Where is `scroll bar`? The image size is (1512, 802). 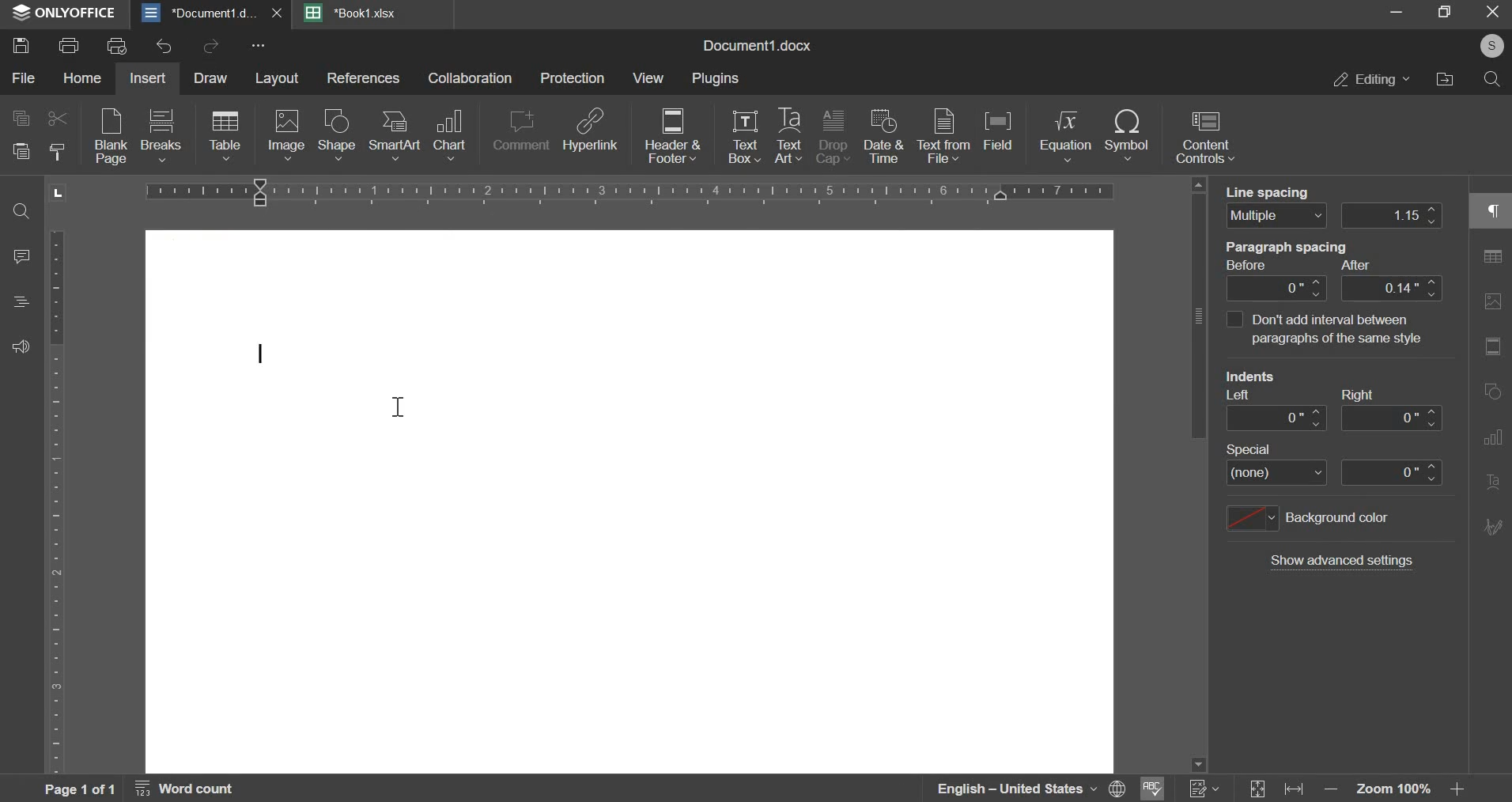
scroll bar is located at coordinates (1197, 472).